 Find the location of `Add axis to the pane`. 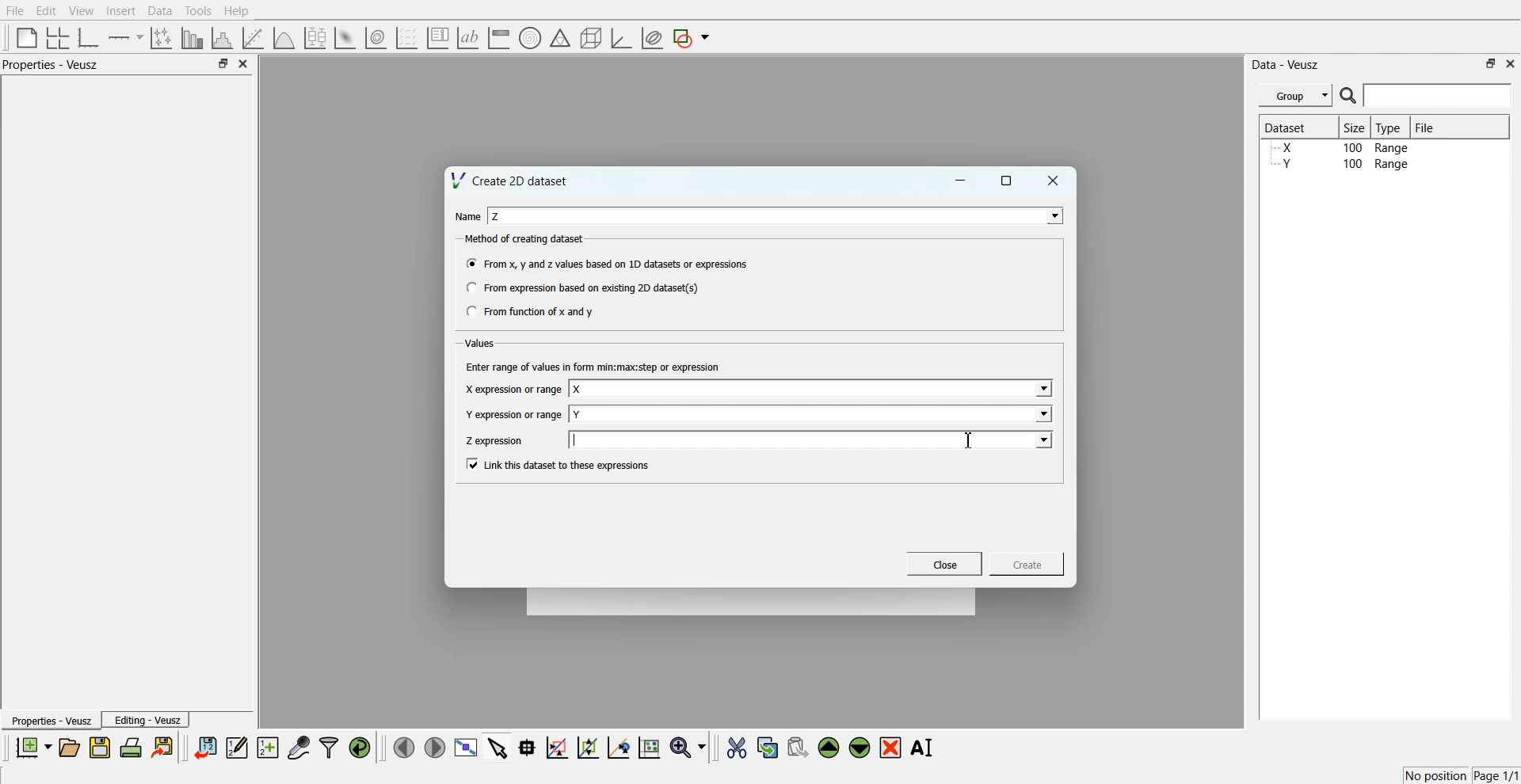

Add axis to the pane is located at coordinates (125, 39).